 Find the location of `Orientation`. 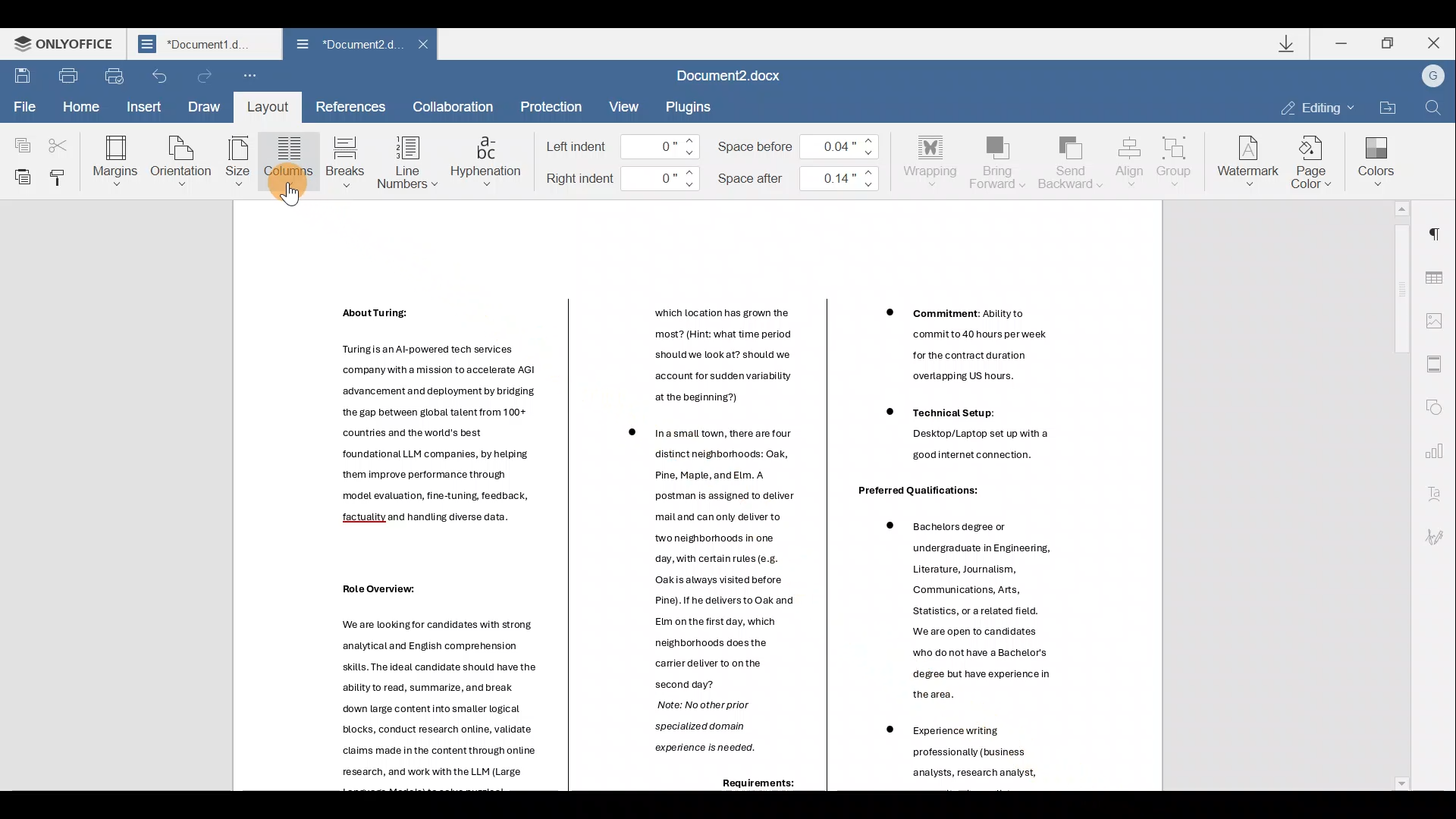

Orientation is located at coordinates (182, 159).